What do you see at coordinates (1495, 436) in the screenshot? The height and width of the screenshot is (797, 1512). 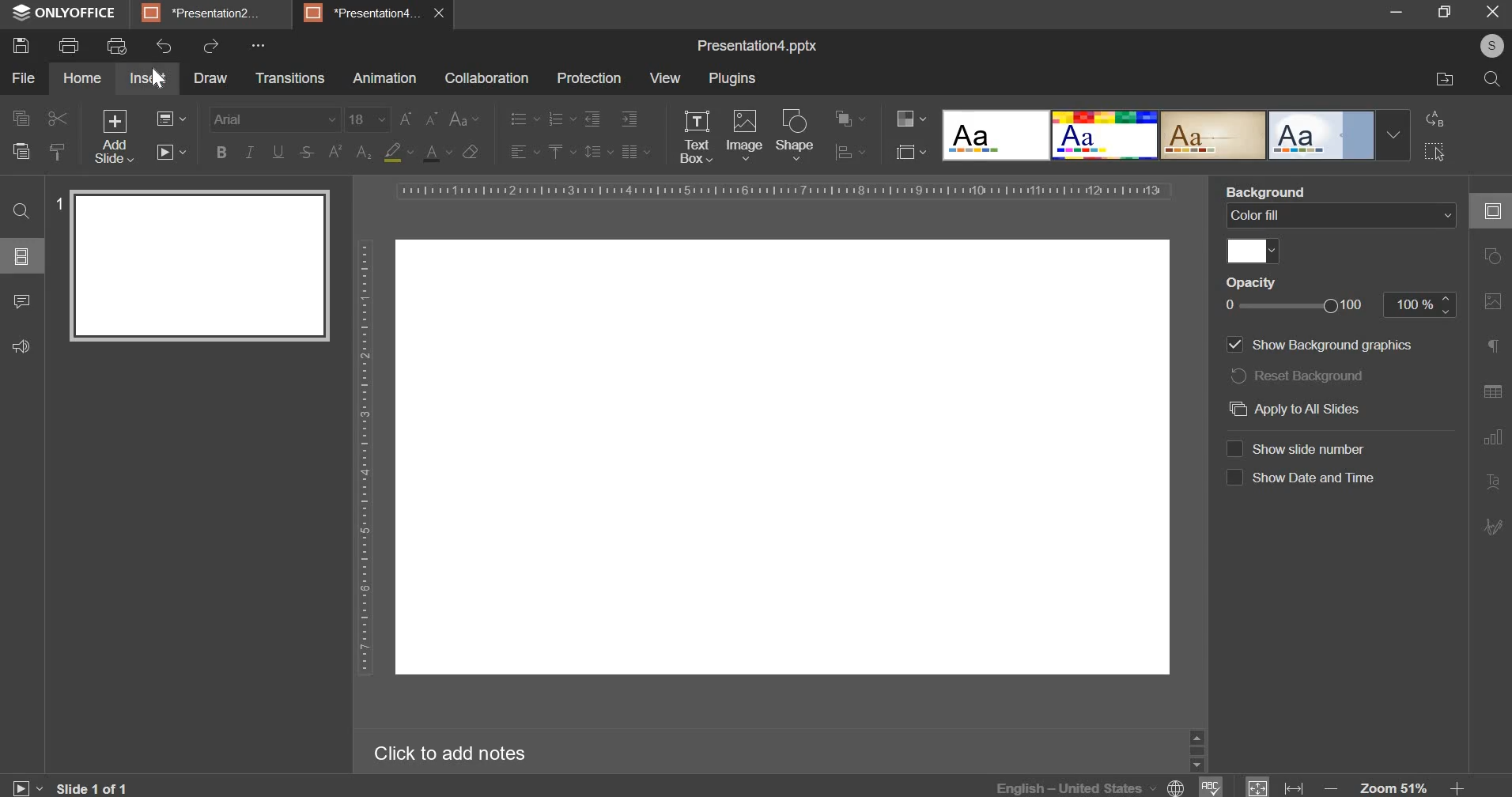 I see `chart settings` at bounding box center [1495, 436].